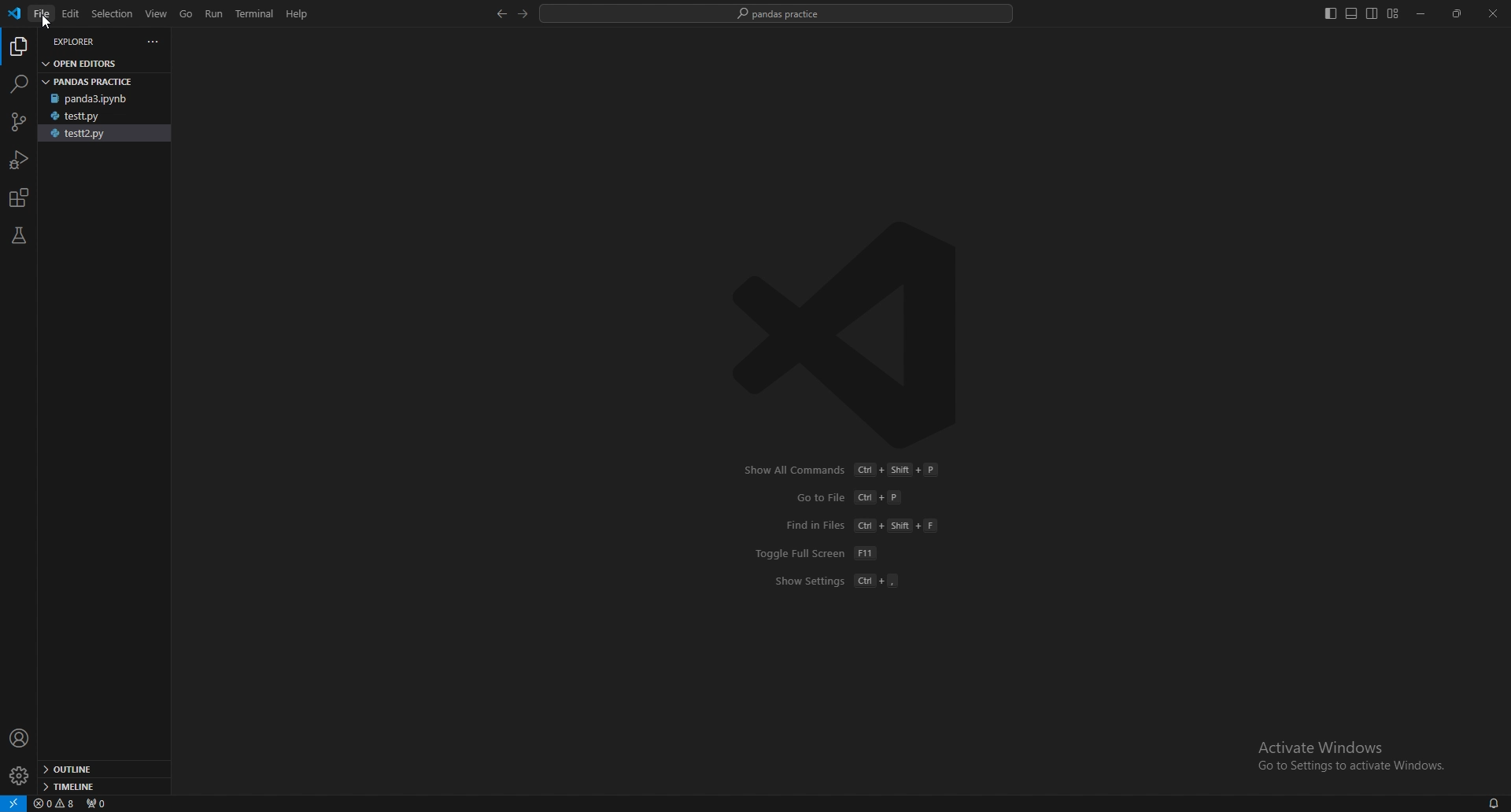  Describe the element at coordinates (55, 803) in the screenshot. I see `warnings` at that location.